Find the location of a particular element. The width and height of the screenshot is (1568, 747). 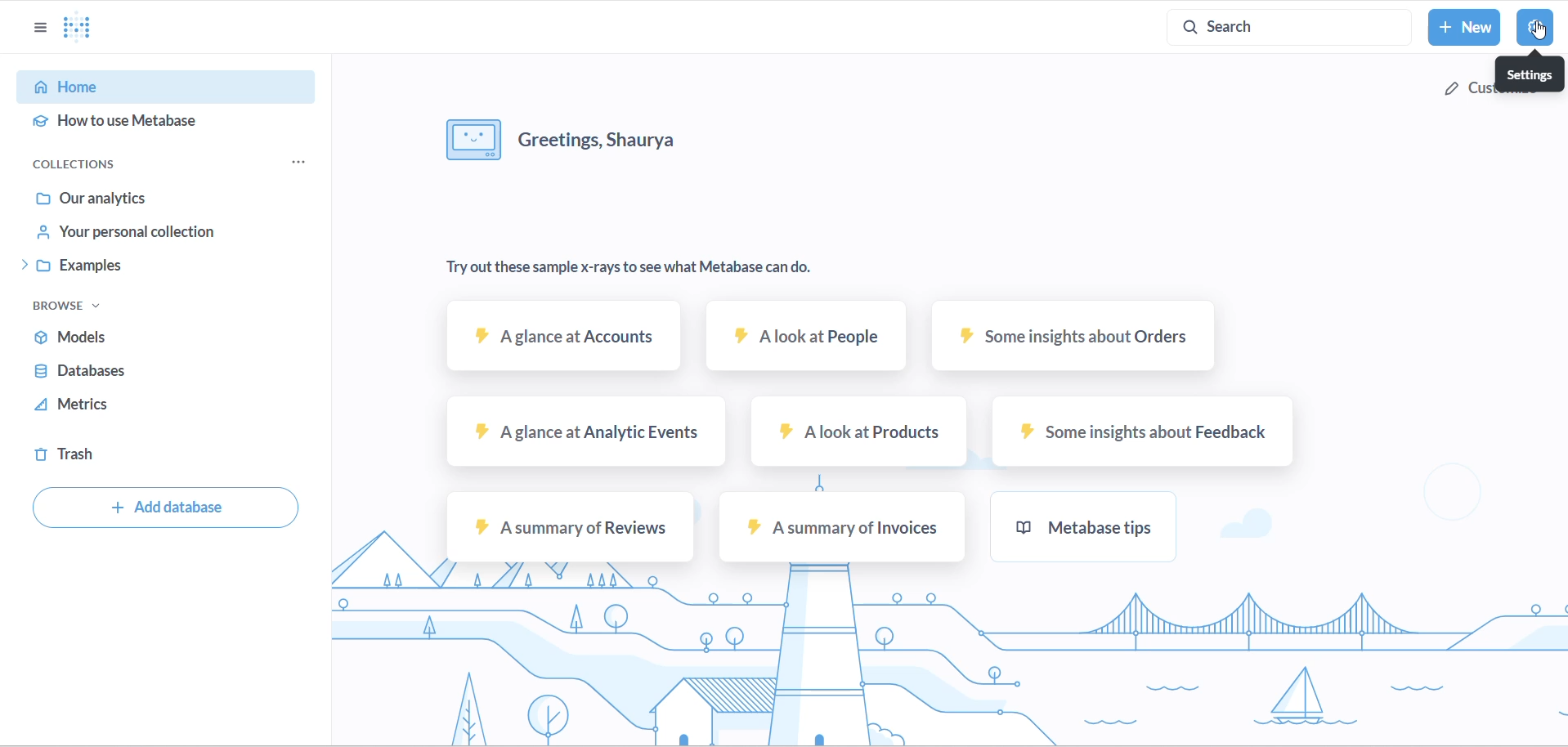

A glance at Analytic events is located at coordinates (583, 430).